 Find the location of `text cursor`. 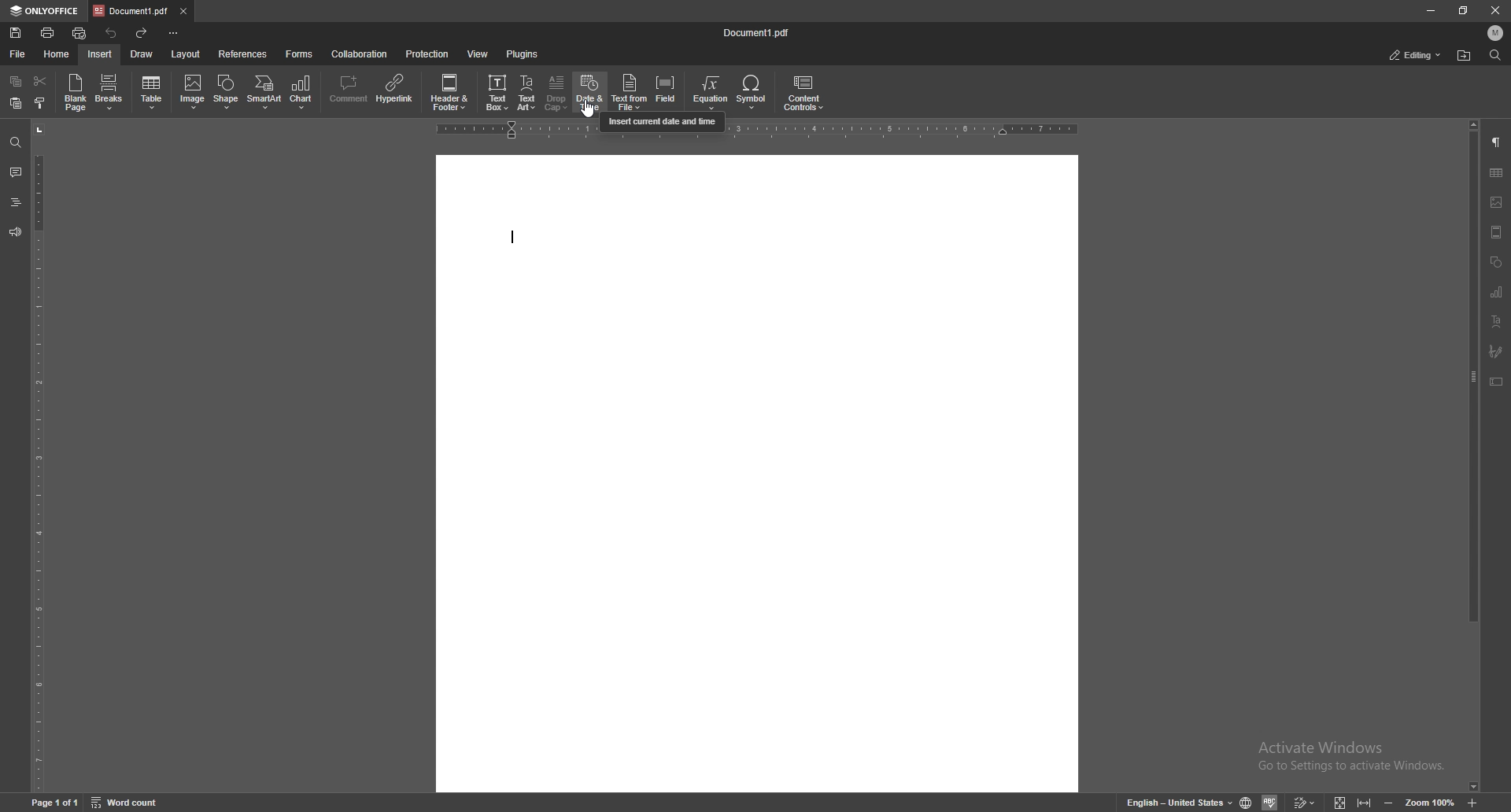

text cursor is located at coordinates (519, 239).